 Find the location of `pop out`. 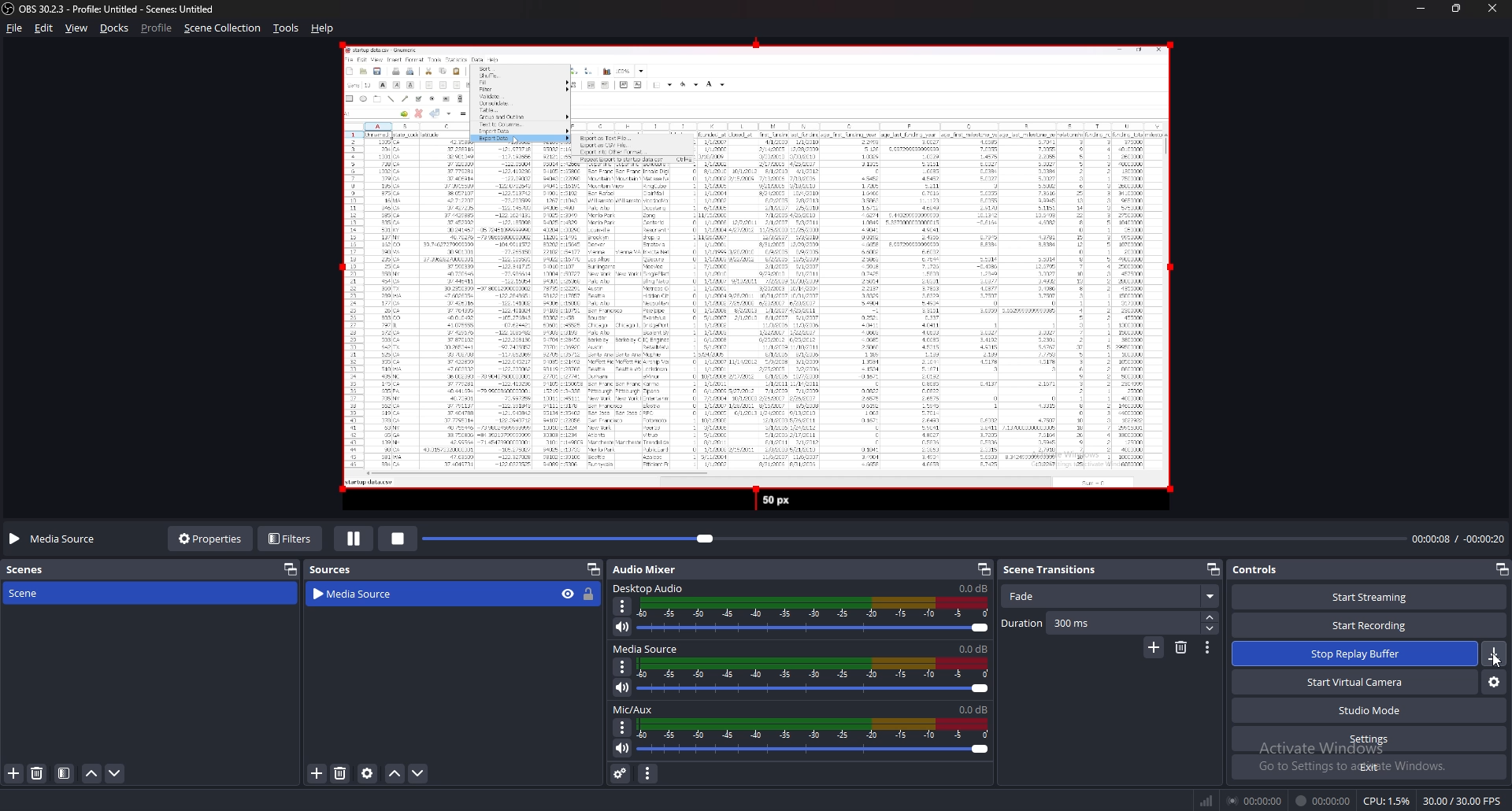

pop out is located at coordinates (982, 568).